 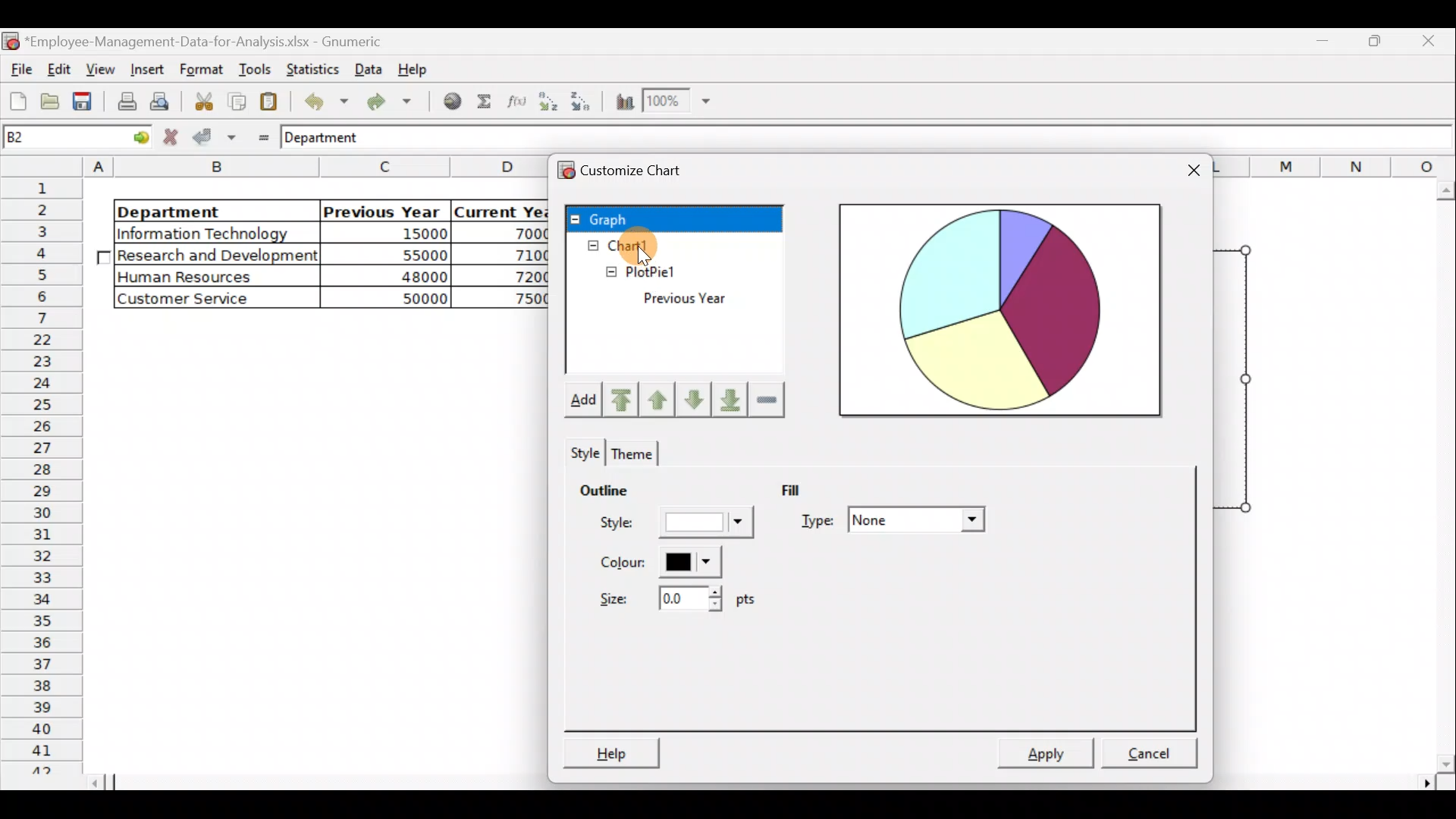 What do you see at coordinates (1191, 170) in the screenshot?
I see `Close` at bounding box center [1191, 170].